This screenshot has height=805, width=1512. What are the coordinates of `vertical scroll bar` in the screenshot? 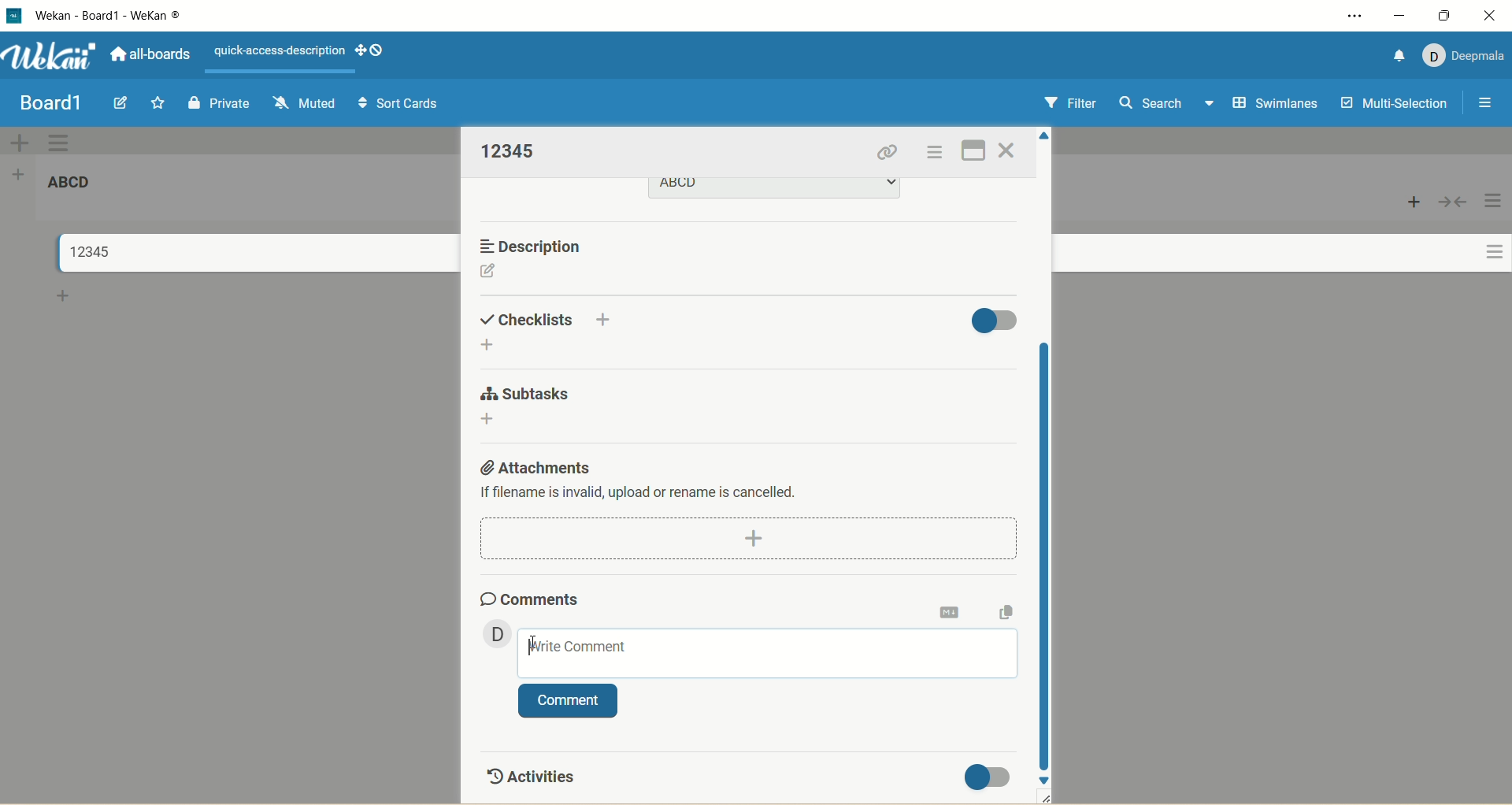 It's located at (1047, 554).